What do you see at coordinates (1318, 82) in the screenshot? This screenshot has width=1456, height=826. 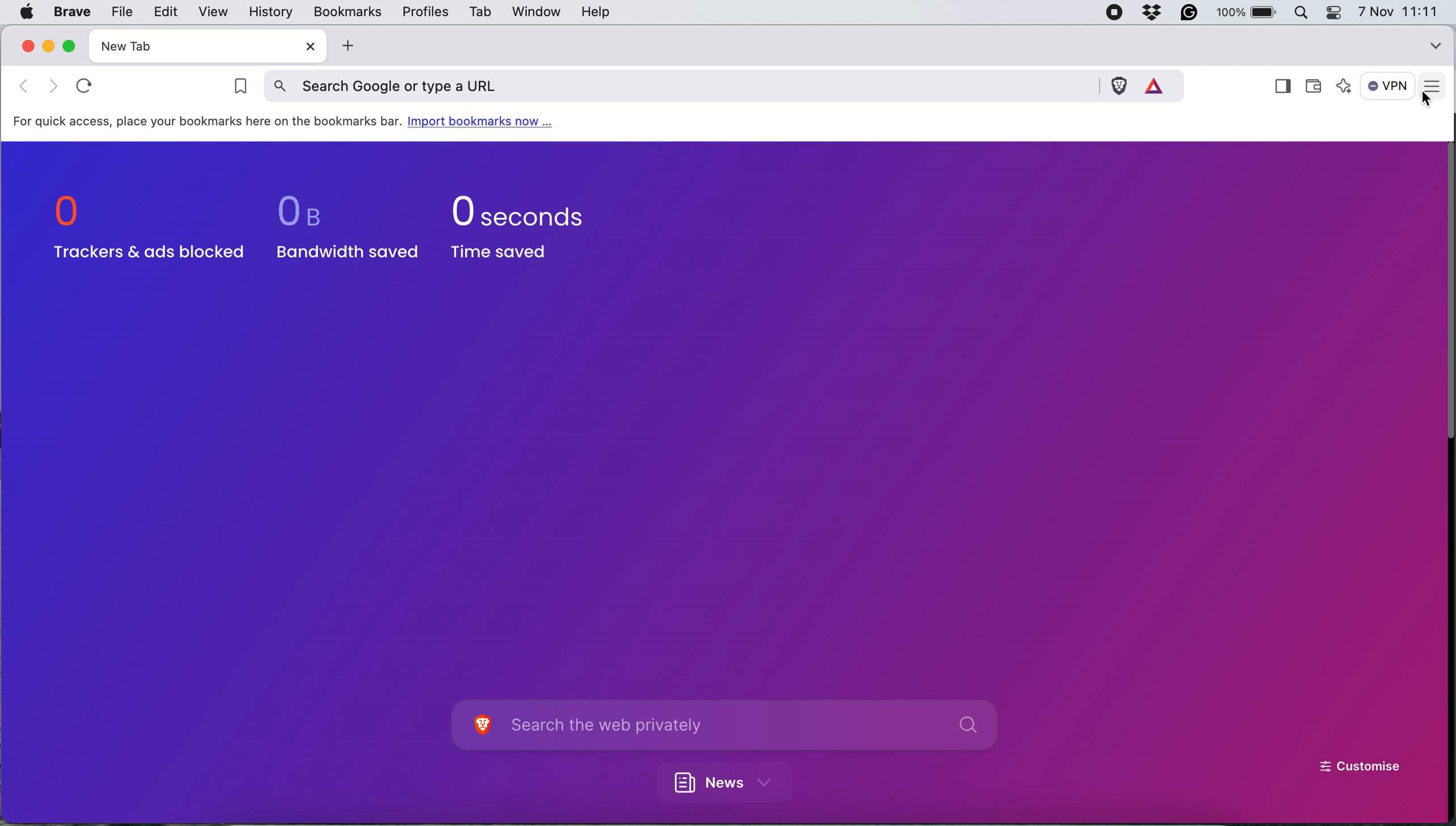 I see `wallet` at bounding box center [1318, 82].